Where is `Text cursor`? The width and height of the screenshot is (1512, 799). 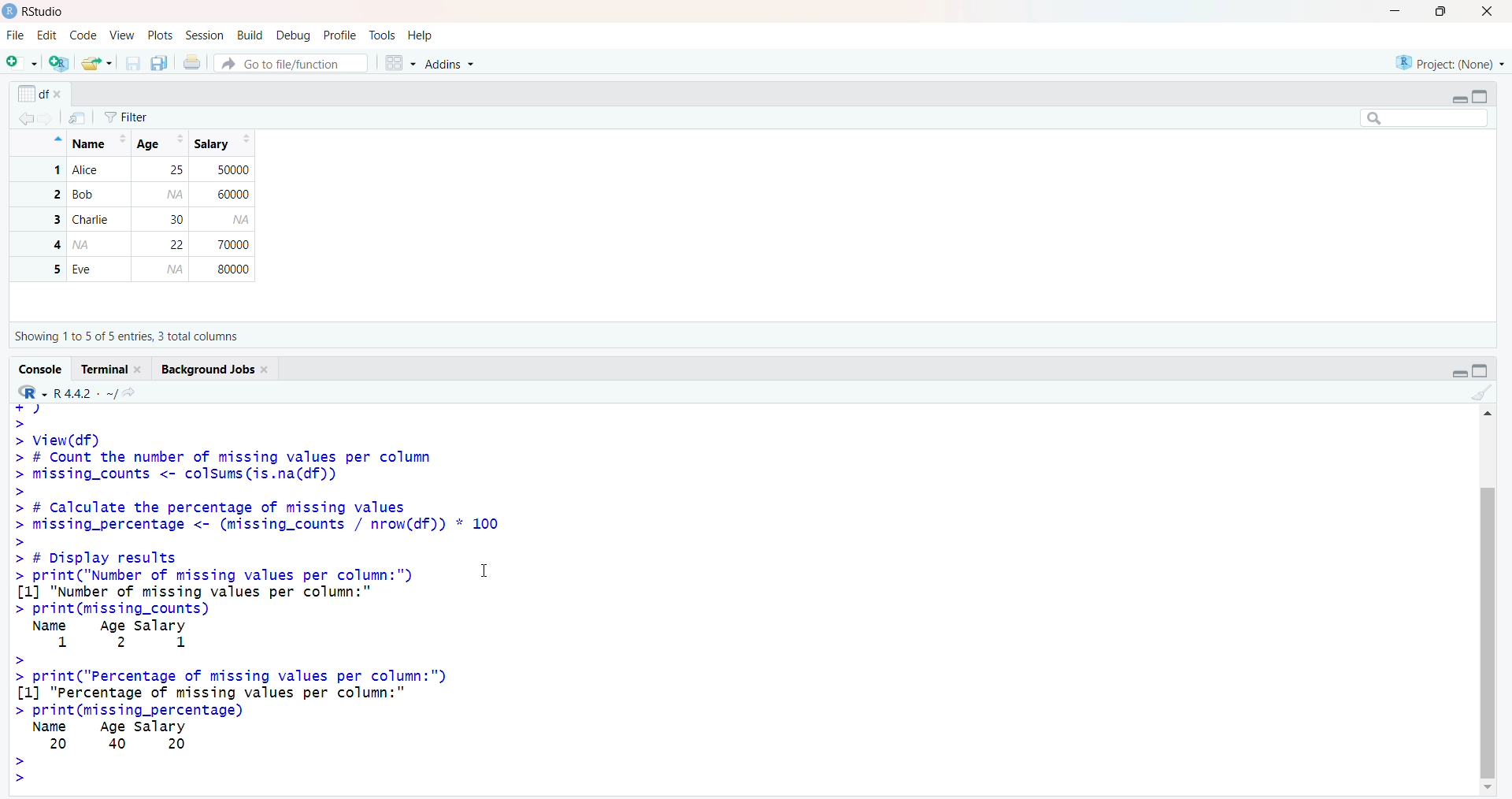
Text cursor is located at coordinates (493, 574).